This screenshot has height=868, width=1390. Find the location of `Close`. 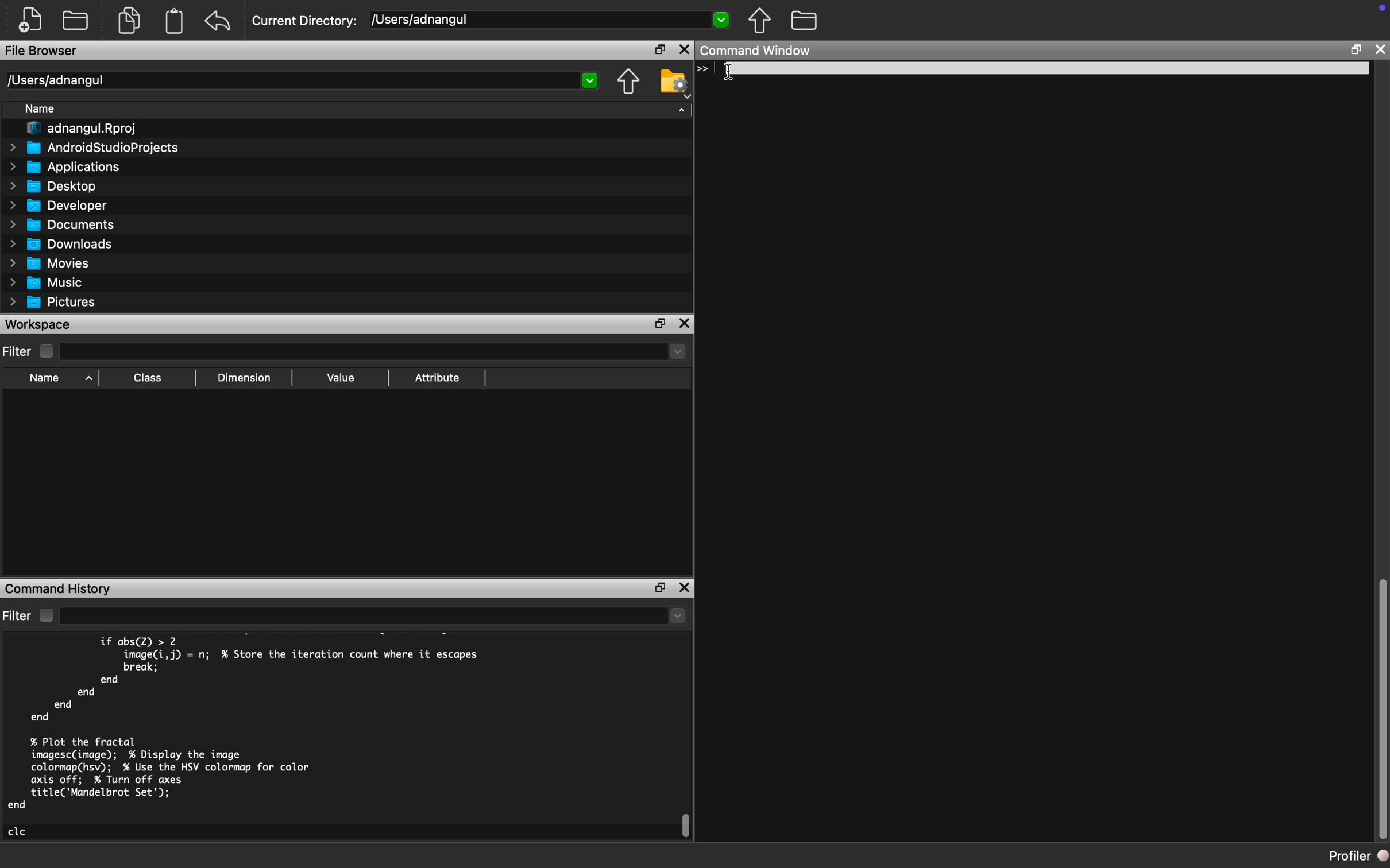

Close is located at coordinates (686, 323).